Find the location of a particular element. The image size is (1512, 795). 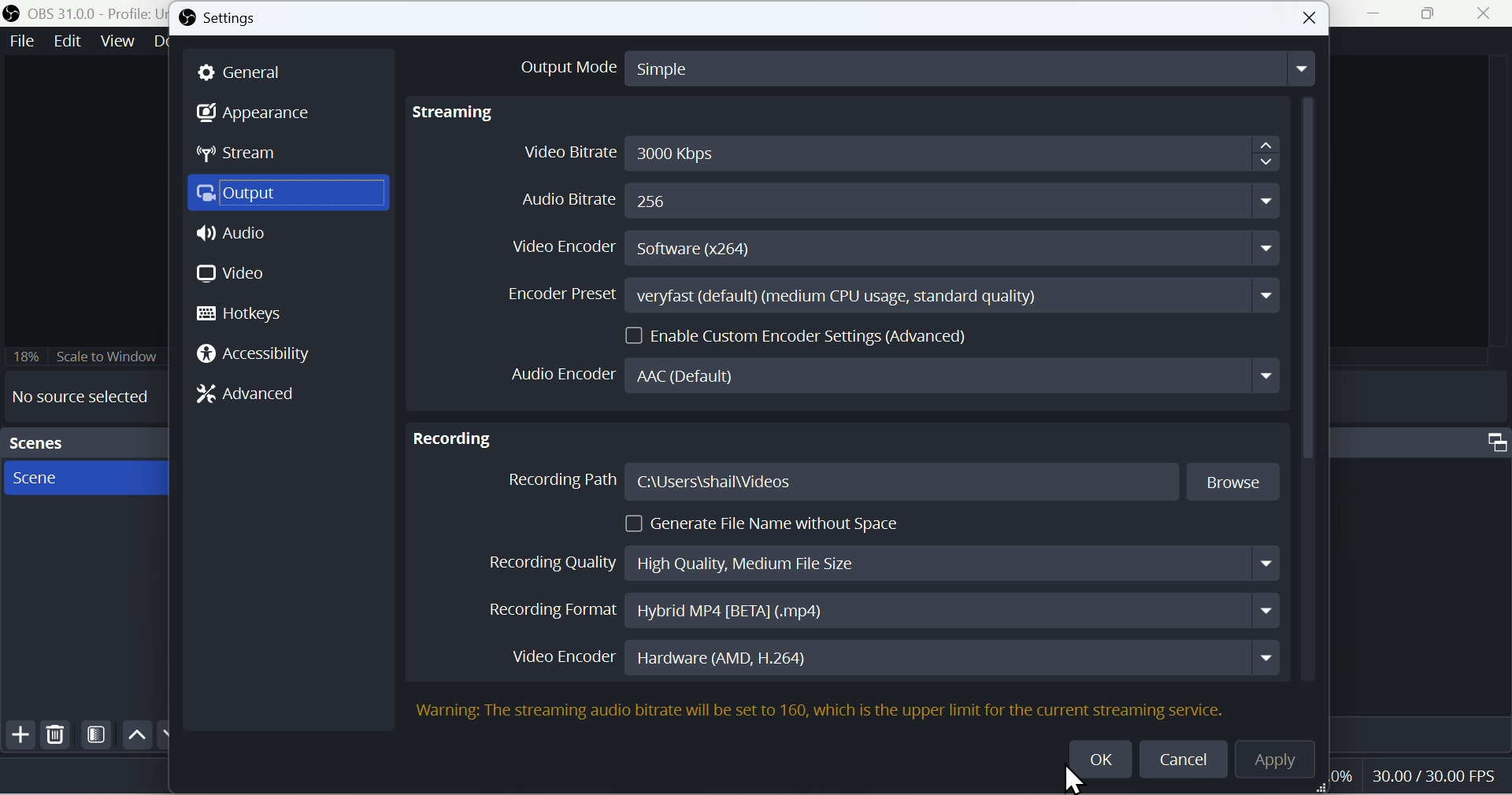

Encoder Preset is located at coordinates (888, 295).